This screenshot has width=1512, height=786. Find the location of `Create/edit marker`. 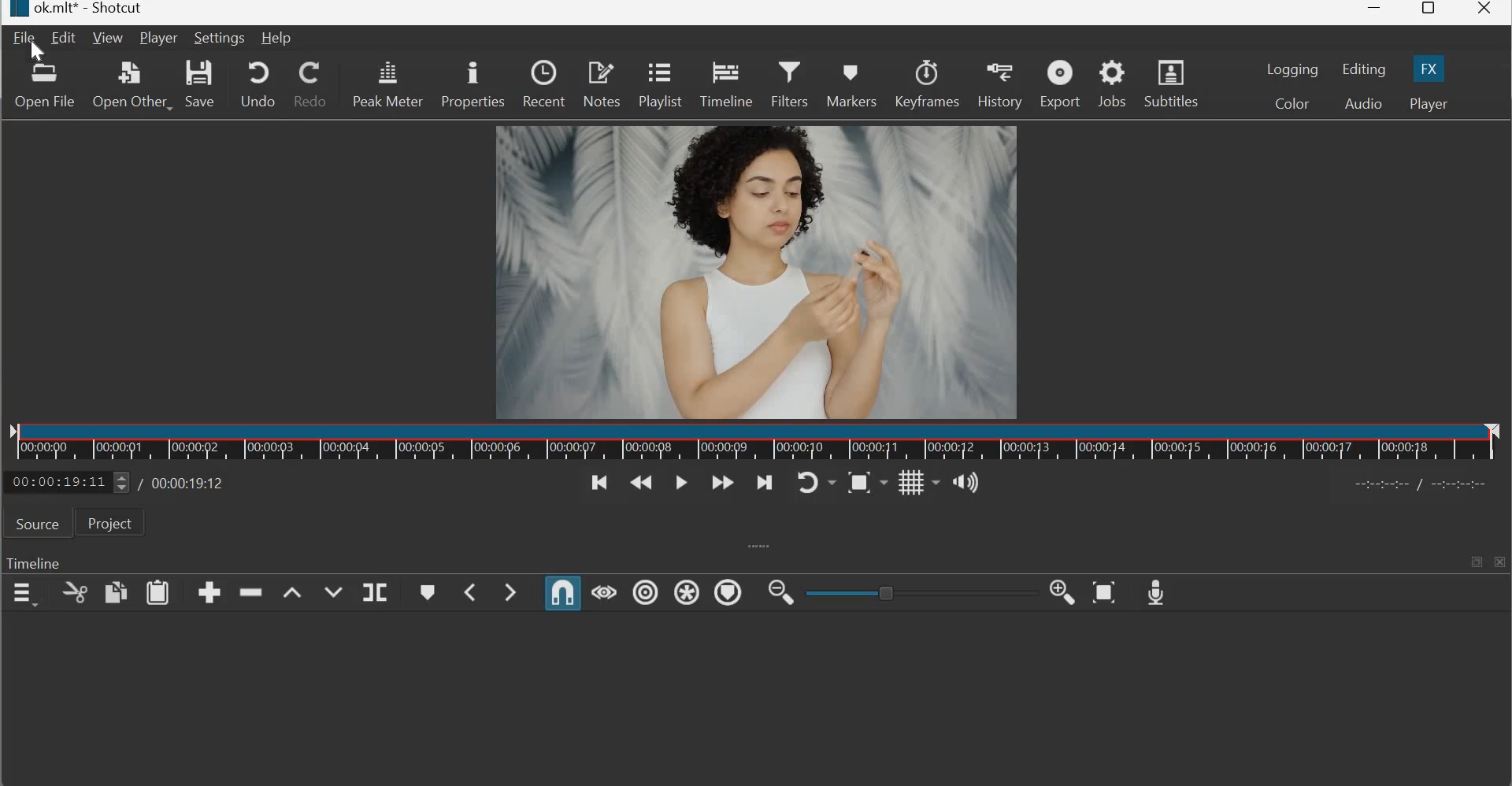

Create/edit marker is located at coordinates (427, 592).